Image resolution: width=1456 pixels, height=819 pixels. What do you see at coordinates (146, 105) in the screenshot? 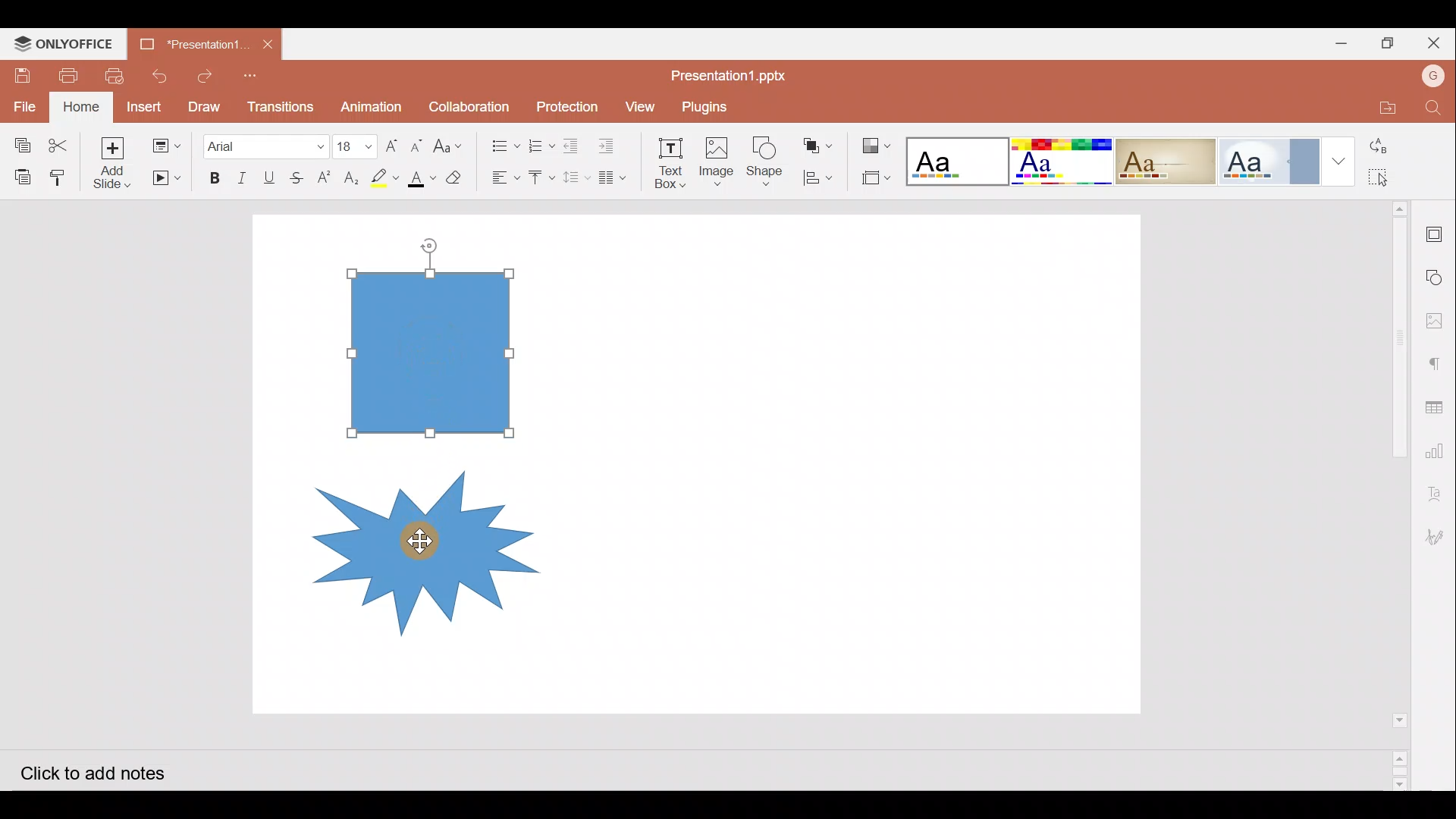
I see `Insert` at bounding box center [146, 105].